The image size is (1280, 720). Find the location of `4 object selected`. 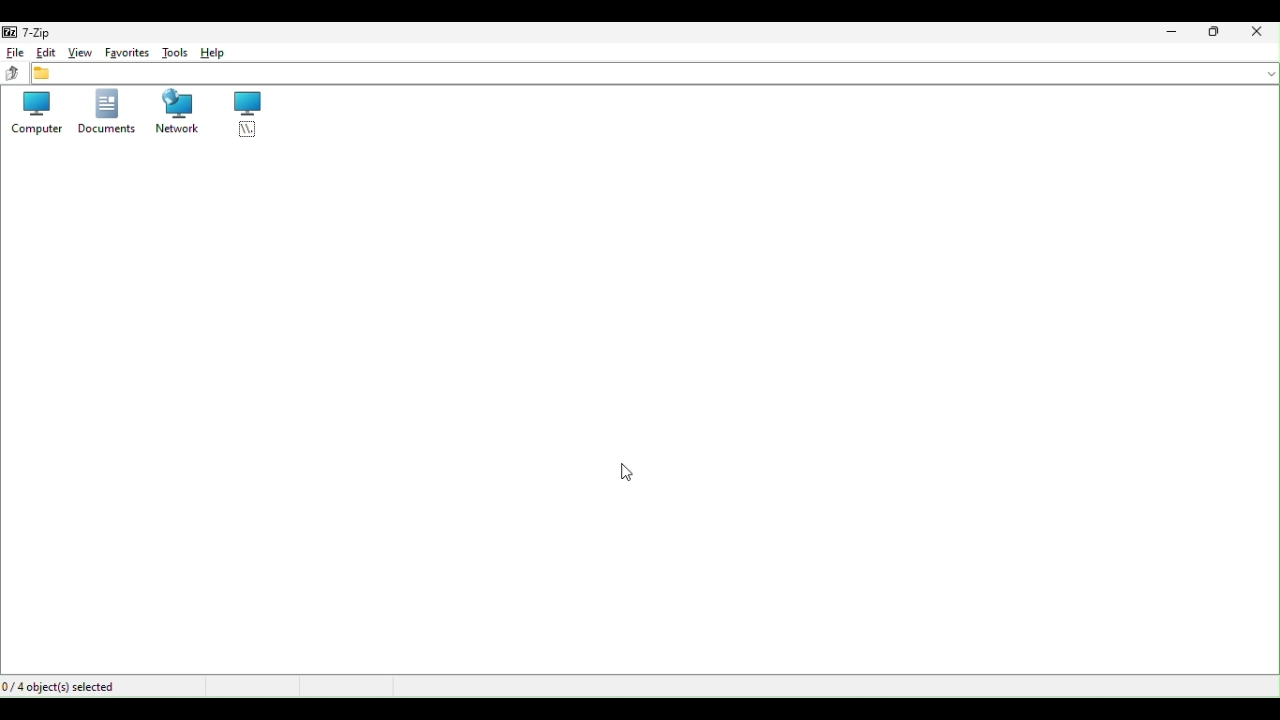

4 object selected is located at coordinates (74, 686).